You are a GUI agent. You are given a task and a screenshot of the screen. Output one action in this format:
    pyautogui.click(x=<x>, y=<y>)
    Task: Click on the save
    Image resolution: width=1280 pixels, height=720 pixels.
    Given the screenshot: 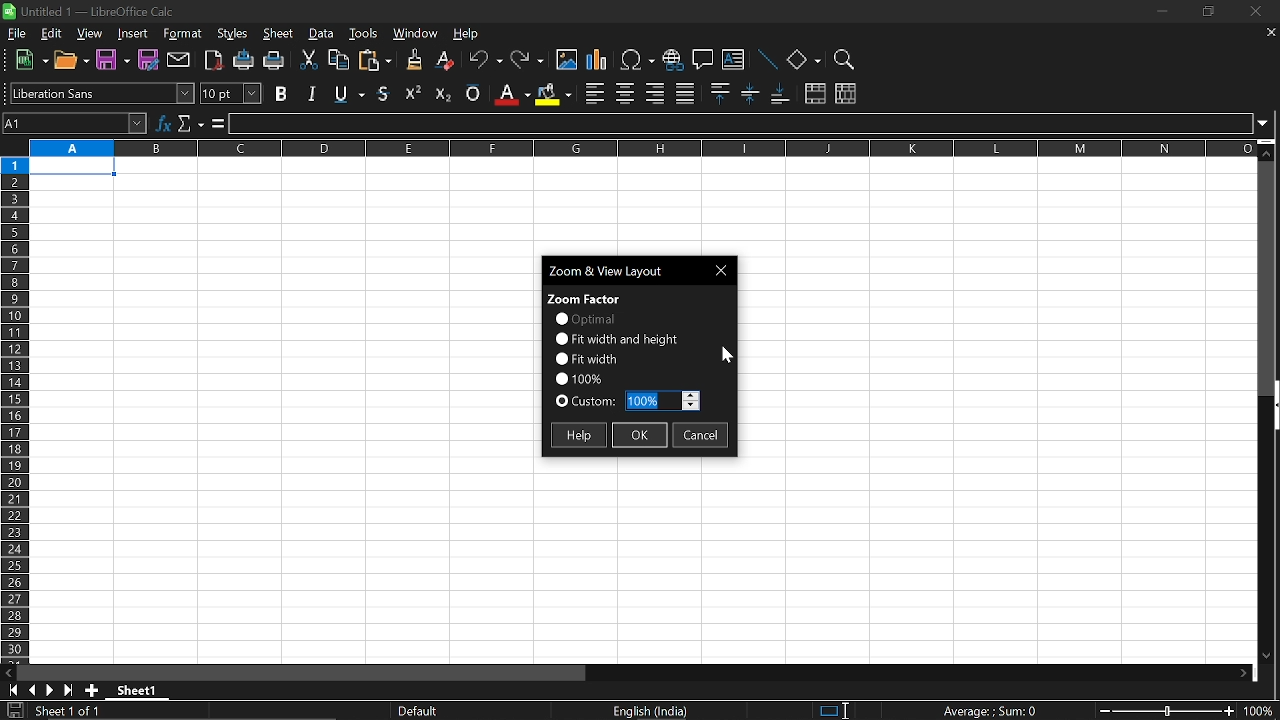 What is the action you would take?
    pyautogui.click(x=14, y=711)
    